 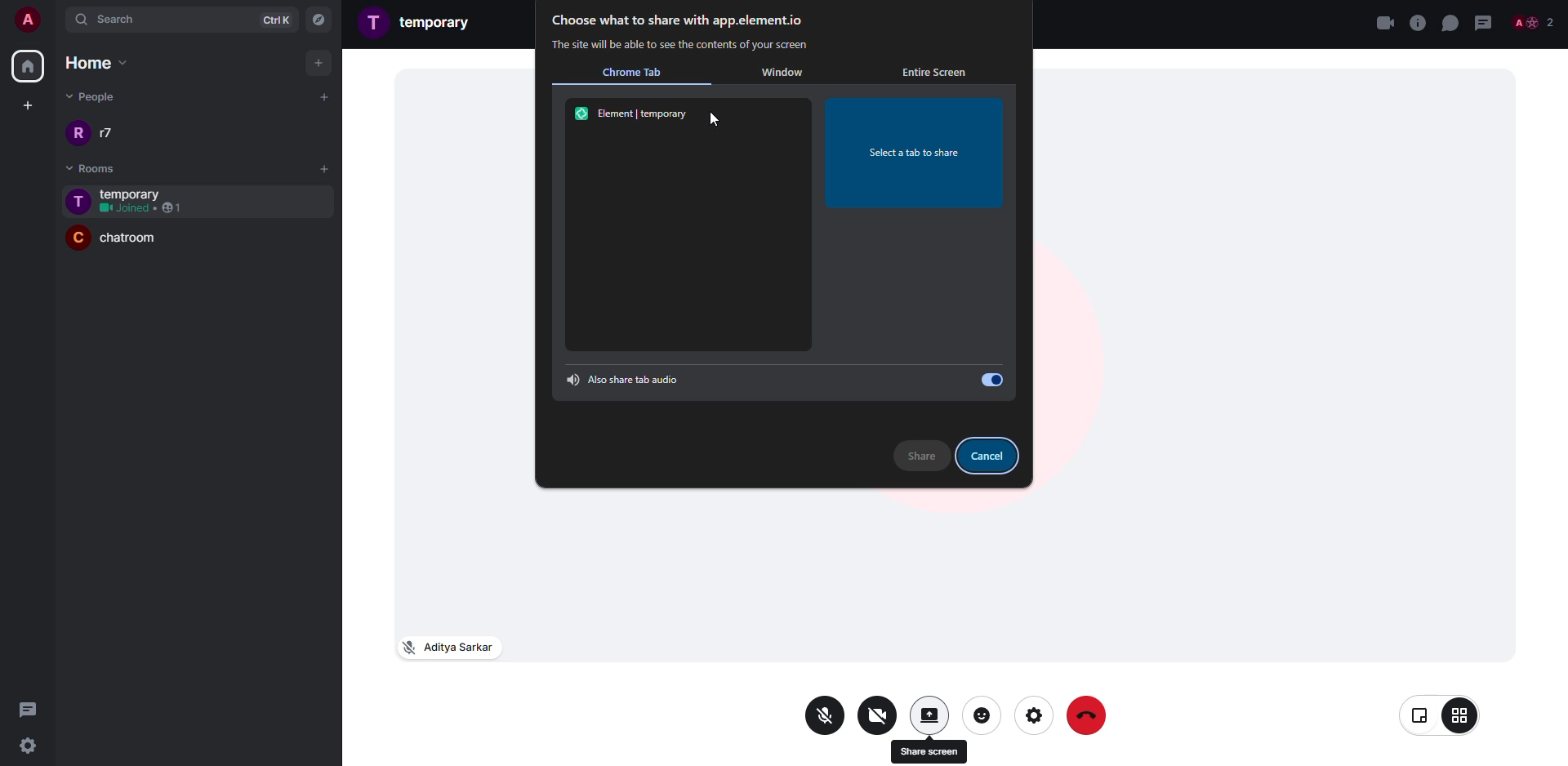 What do you see at coordinates (325, 167) in the screenshot?
I see `add` at bounding box center [325, 167].